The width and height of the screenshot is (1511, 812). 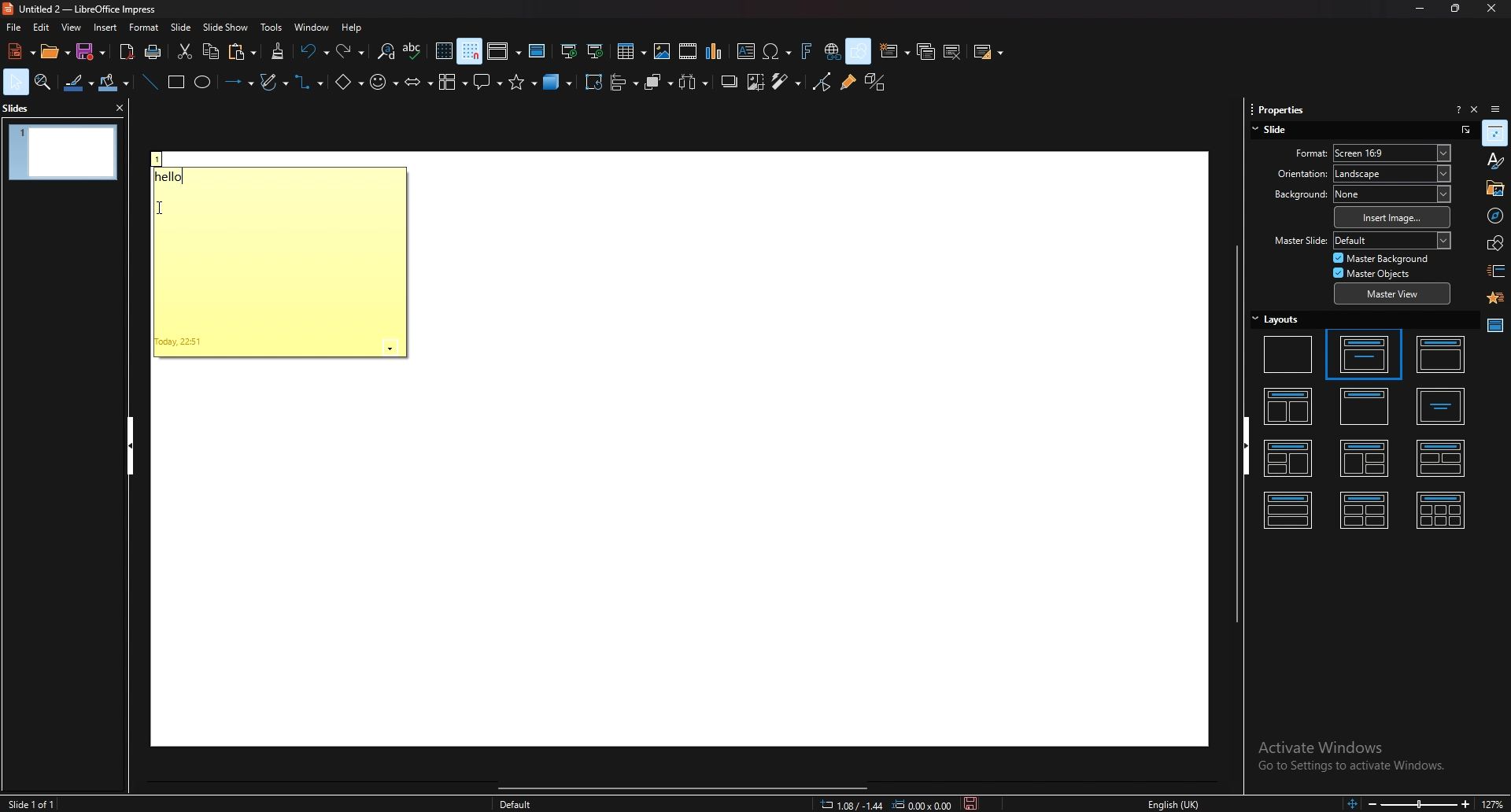 What do you see at coordinates (130, 446) in the screenshot?
I see `hide` at bounding box center [130, 446].